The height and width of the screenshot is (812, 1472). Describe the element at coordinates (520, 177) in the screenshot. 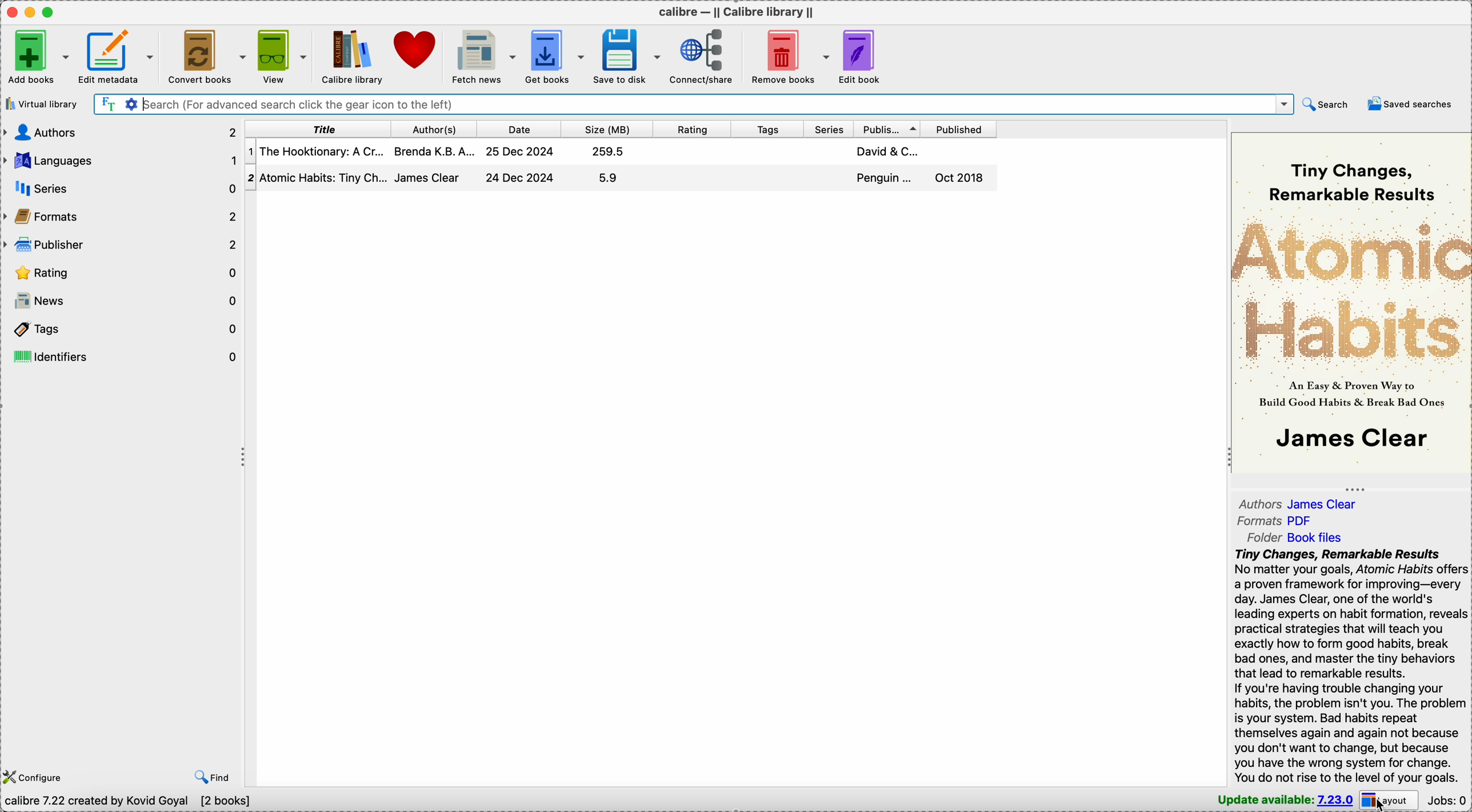

I see `24 Dec 2024` at that location.